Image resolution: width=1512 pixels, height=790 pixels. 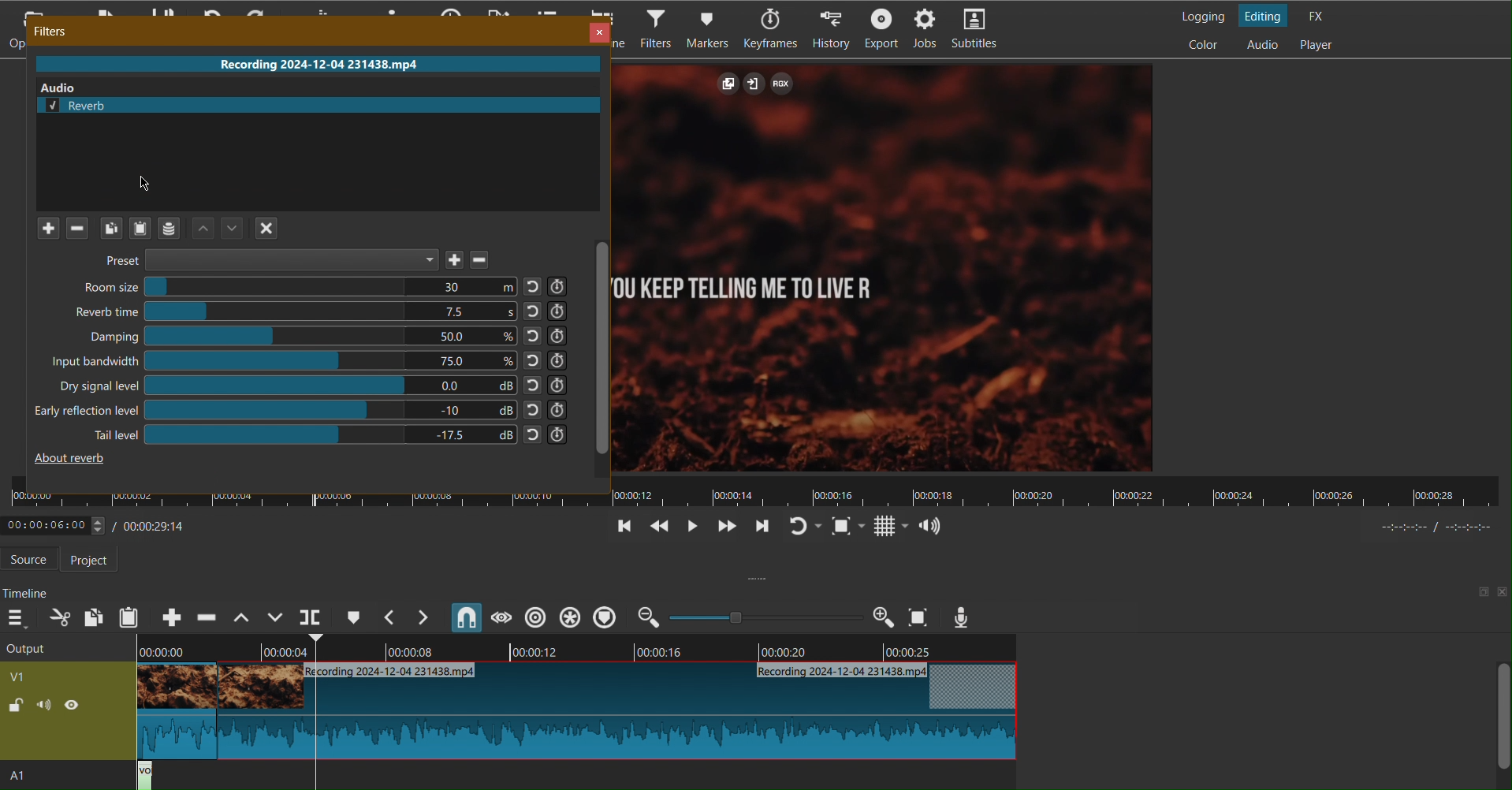 I want to click on Play, so click(x=690, y=527).